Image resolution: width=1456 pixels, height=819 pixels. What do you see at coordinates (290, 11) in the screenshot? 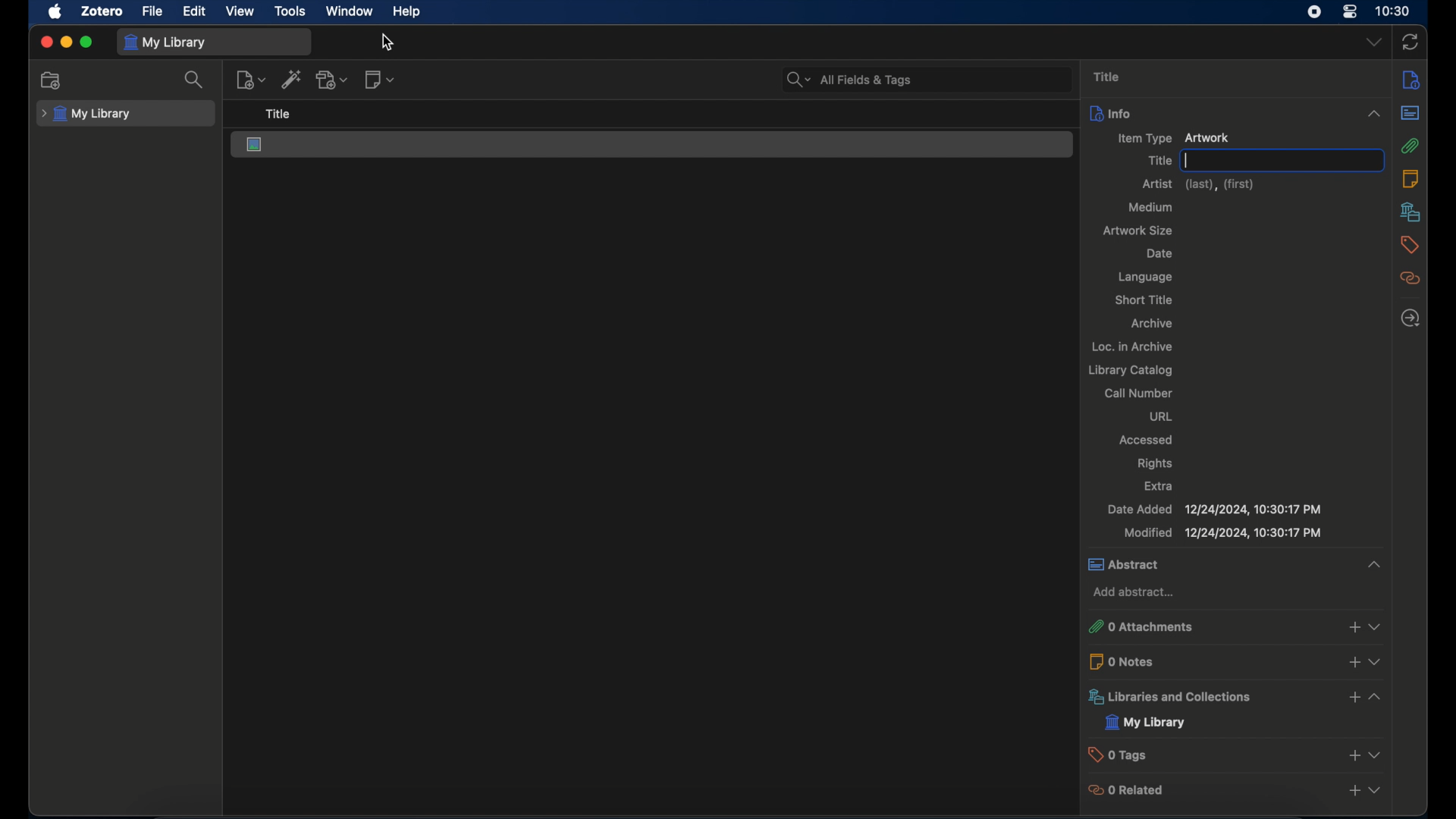
I see `tools` at bounding box center [290, 11].